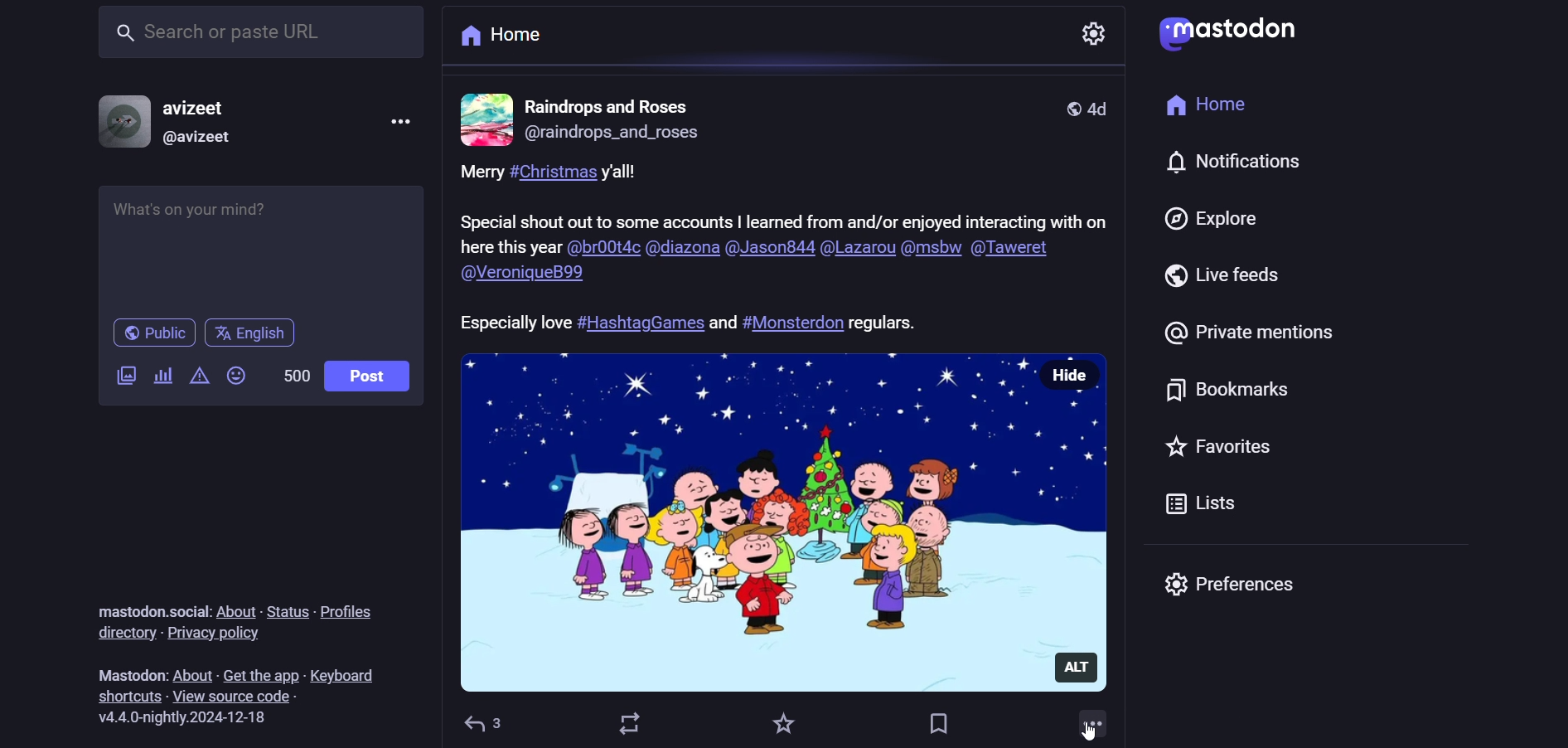 The width and height of the screenshot is (1568, 748). Describe the element at coordinates (1198, 504) in the screenshot. I see `lists` at that location.